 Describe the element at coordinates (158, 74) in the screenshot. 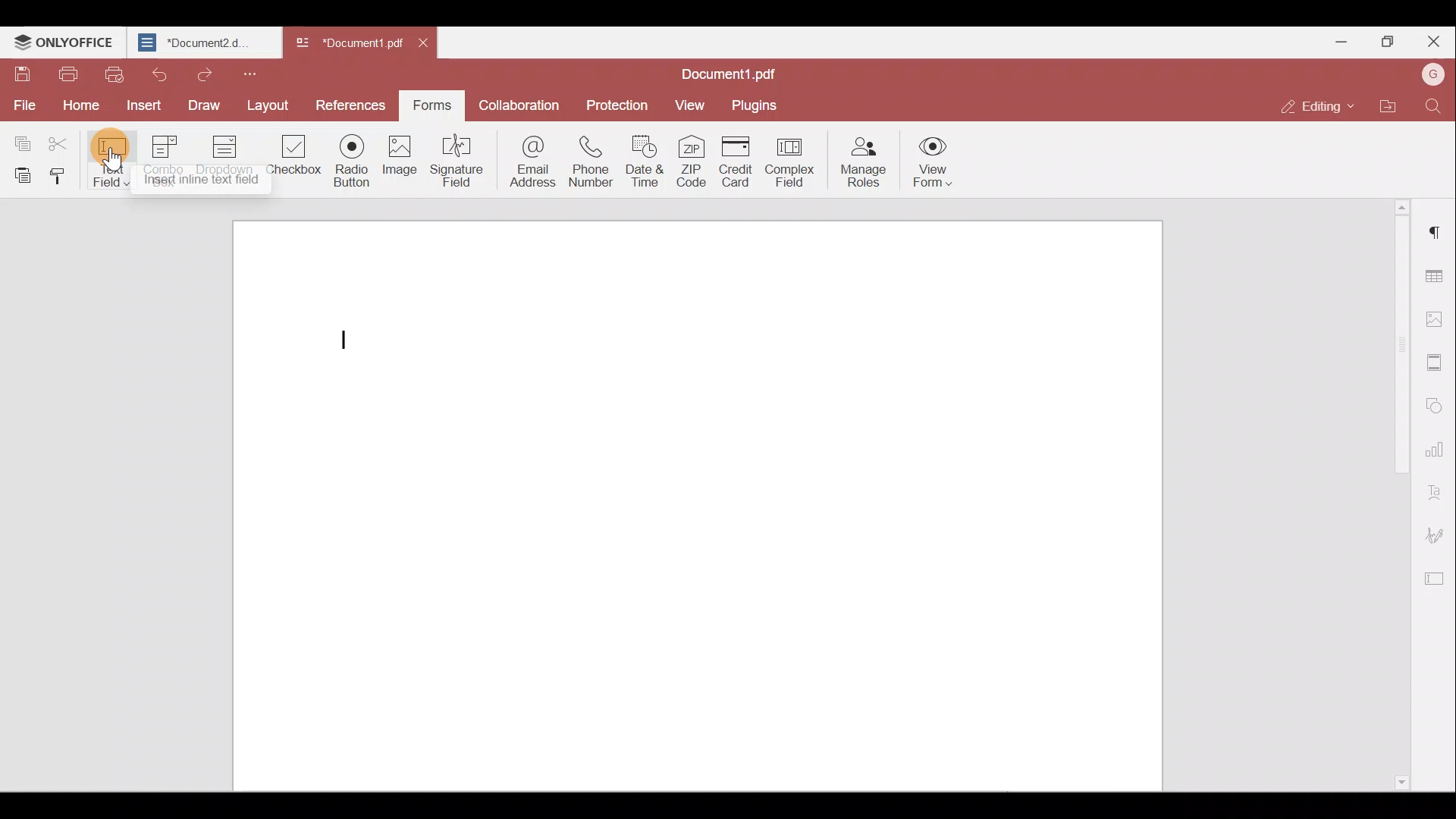

I see `Undo` at that location.